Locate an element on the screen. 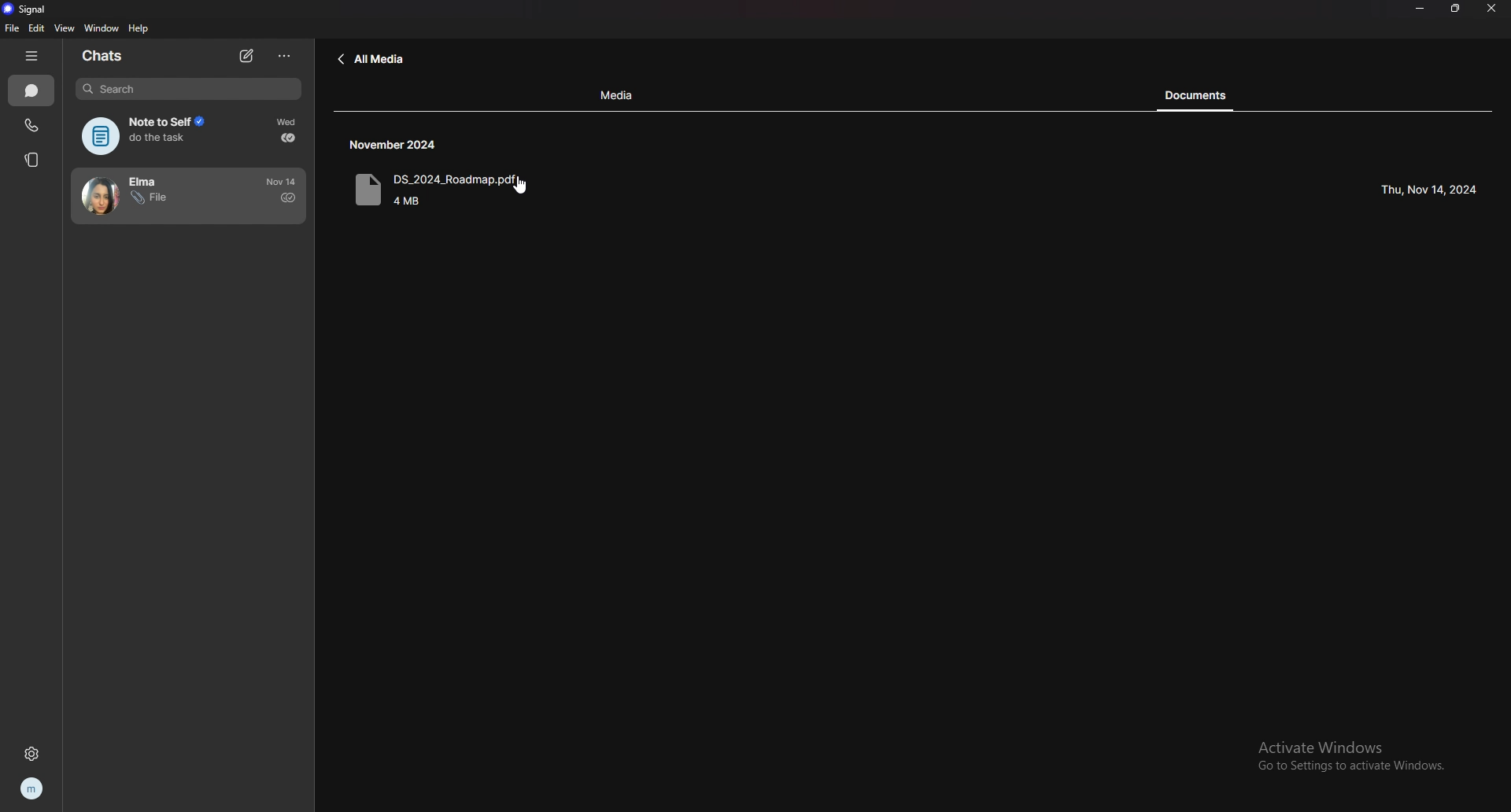  time is located at coordinates (283, 181).